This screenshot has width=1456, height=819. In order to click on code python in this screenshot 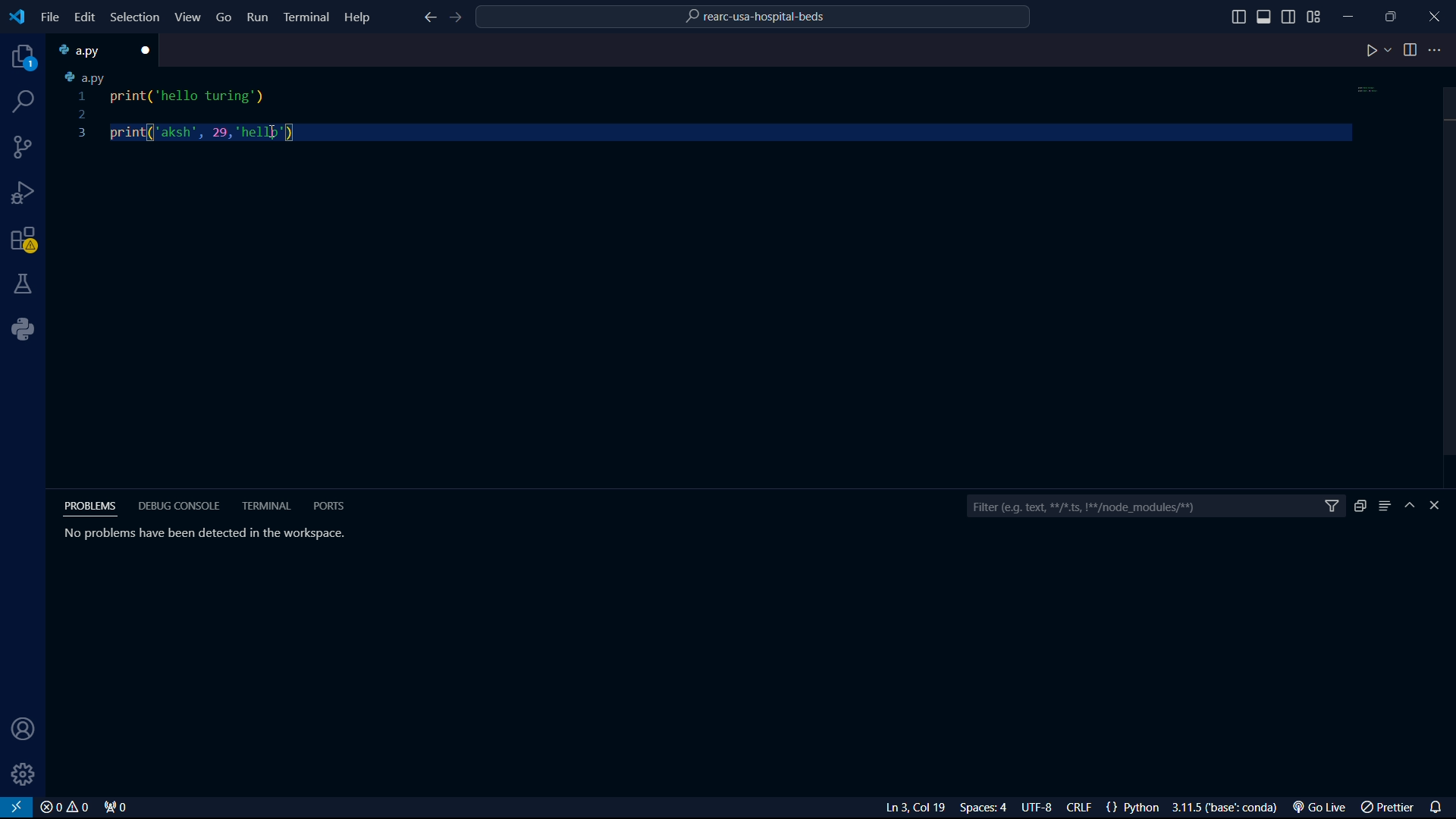, I will do `click(717, 108)`.